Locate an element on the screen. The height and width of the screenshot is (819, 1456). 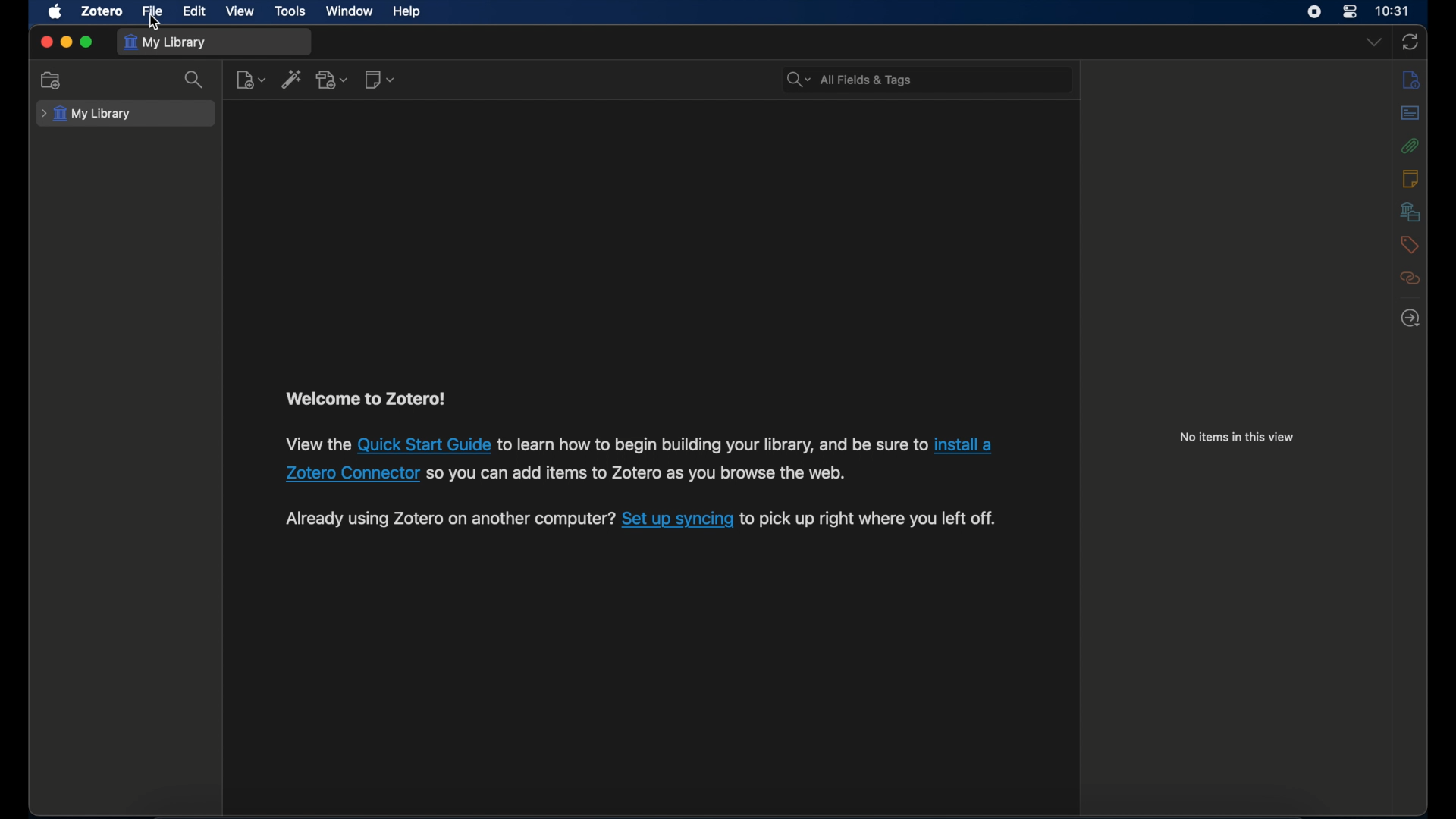
text is located at coordinates (870, 519).